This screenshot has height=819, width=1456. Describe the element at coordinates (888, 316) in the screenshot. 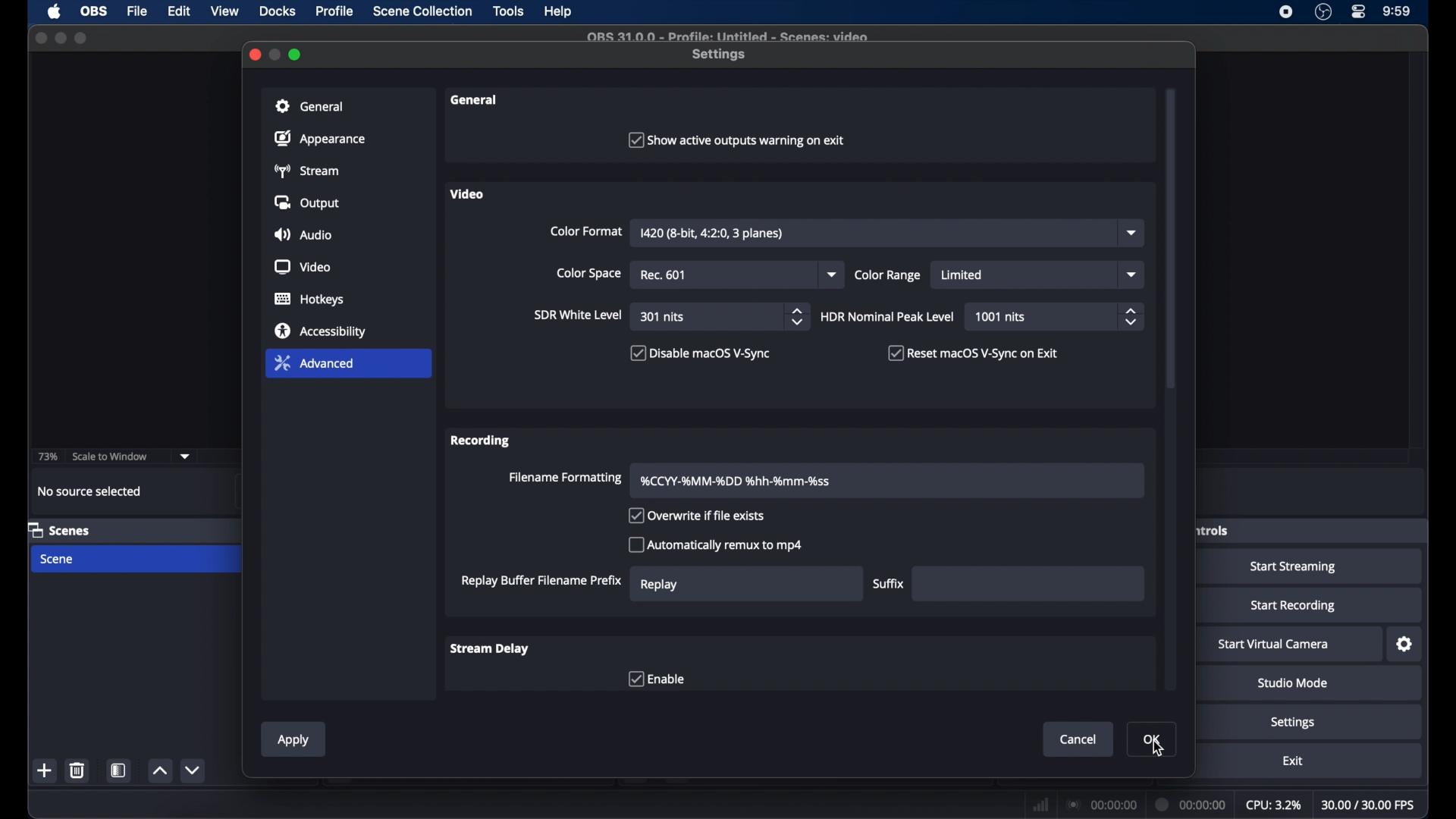

I see `HDR nominal peal level` at that location.